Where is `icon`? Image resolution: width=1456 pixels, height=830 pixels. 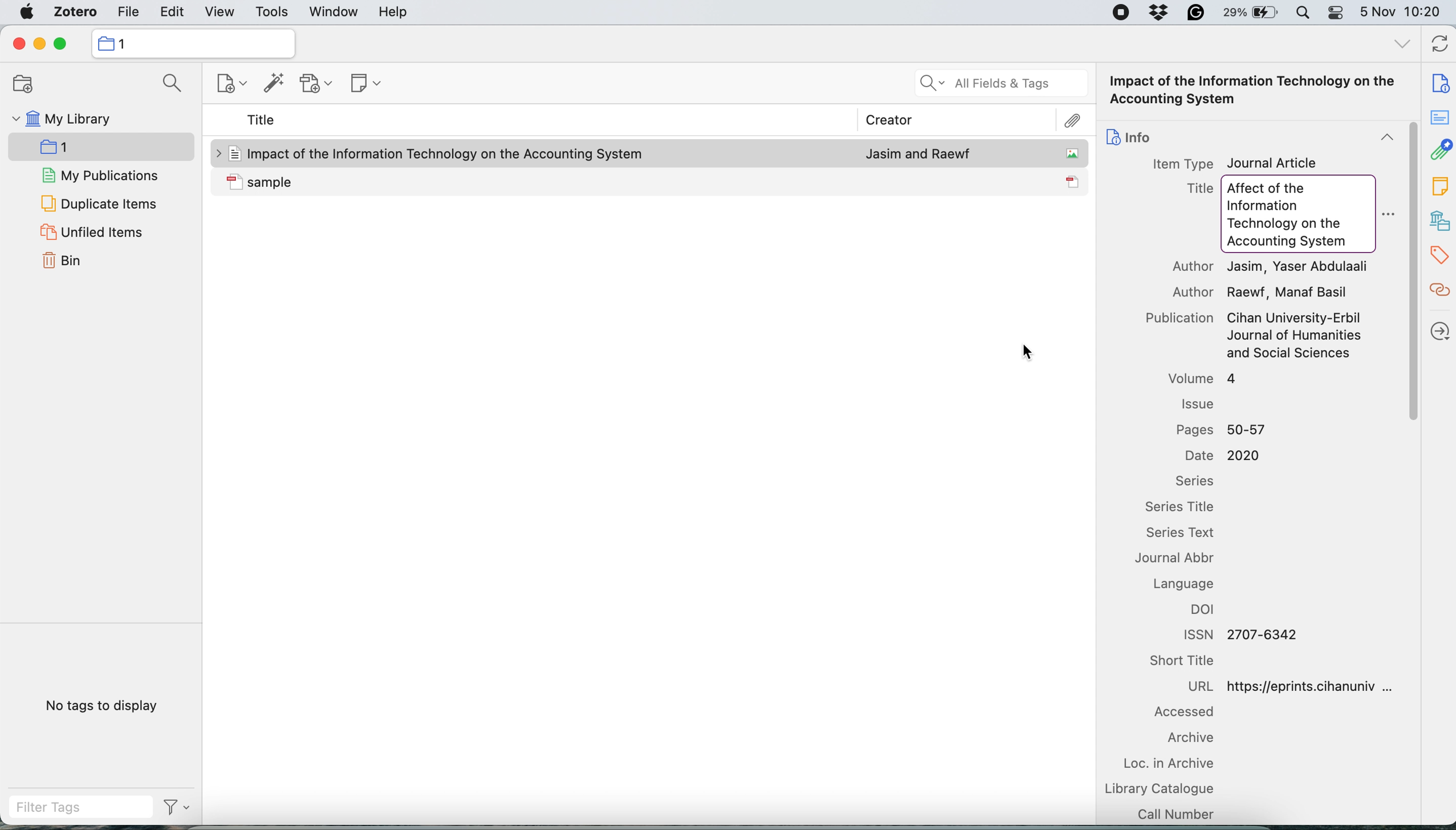
icon is located at coordinates (234, 181).